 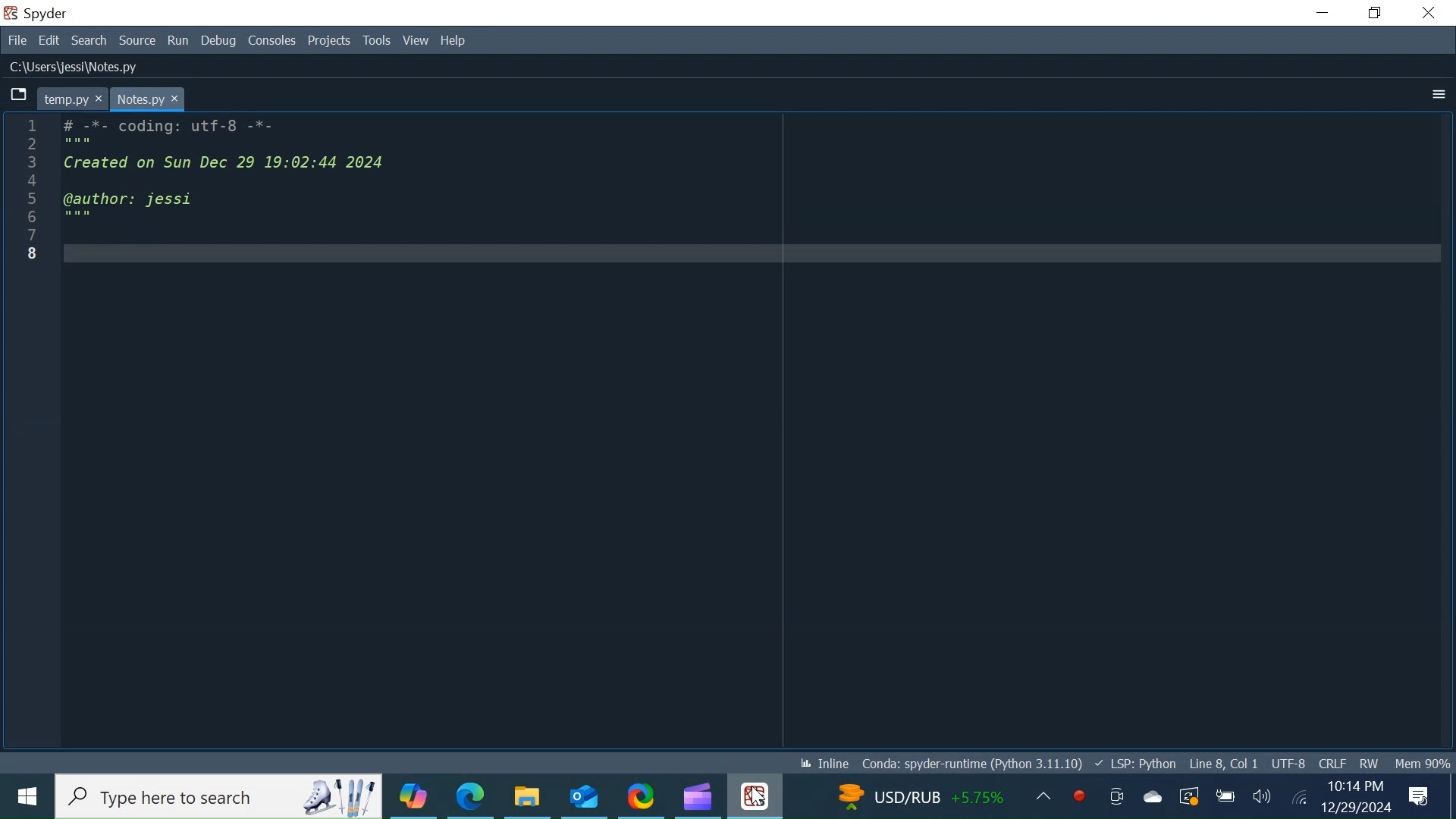 What do you see at coordinates (641, 795) in the screenshot?
I see `ShareX` at bounding box center [641, 795].